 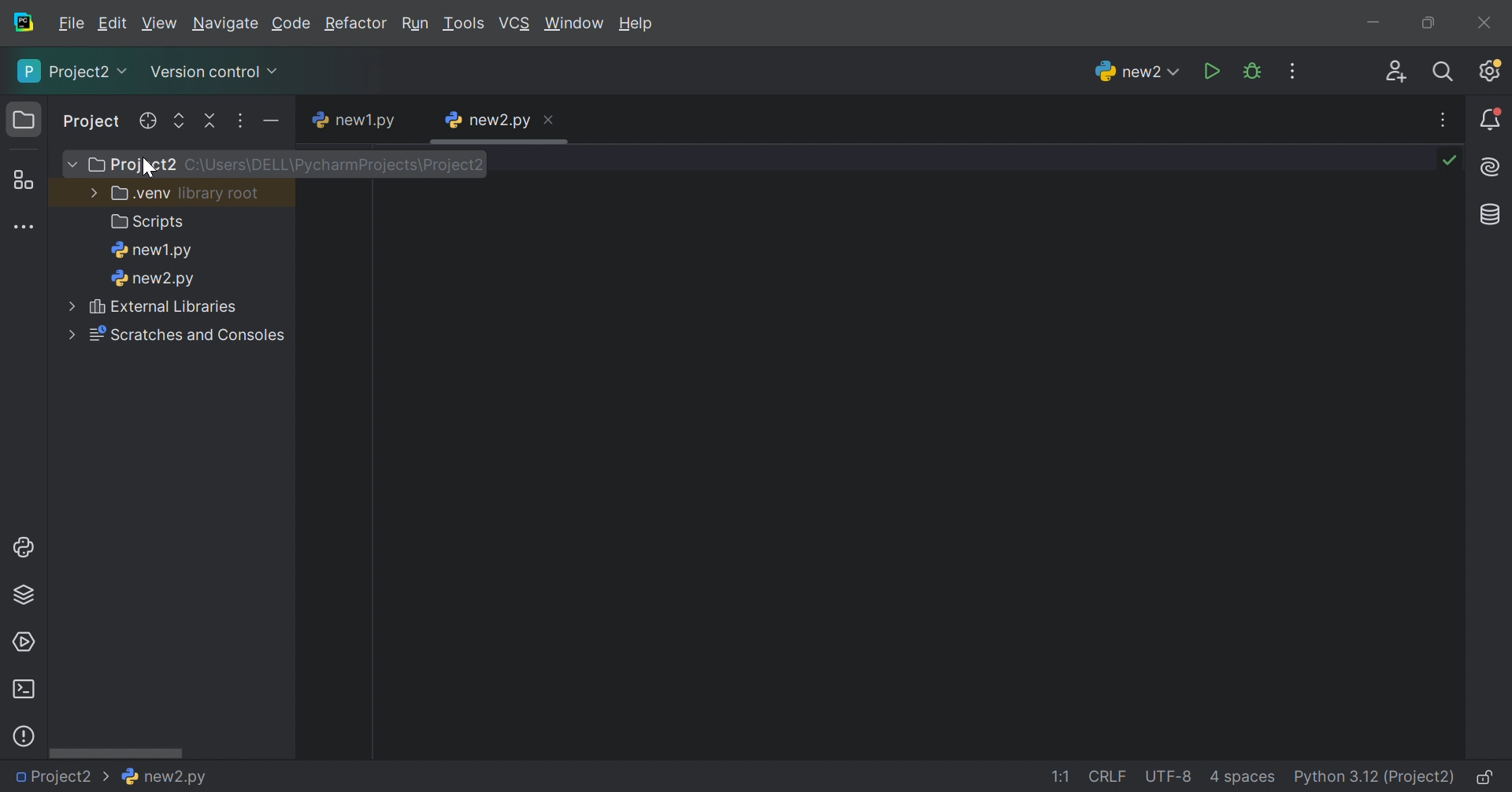 I want to click on Updates available, so click(x=1488, y=72).